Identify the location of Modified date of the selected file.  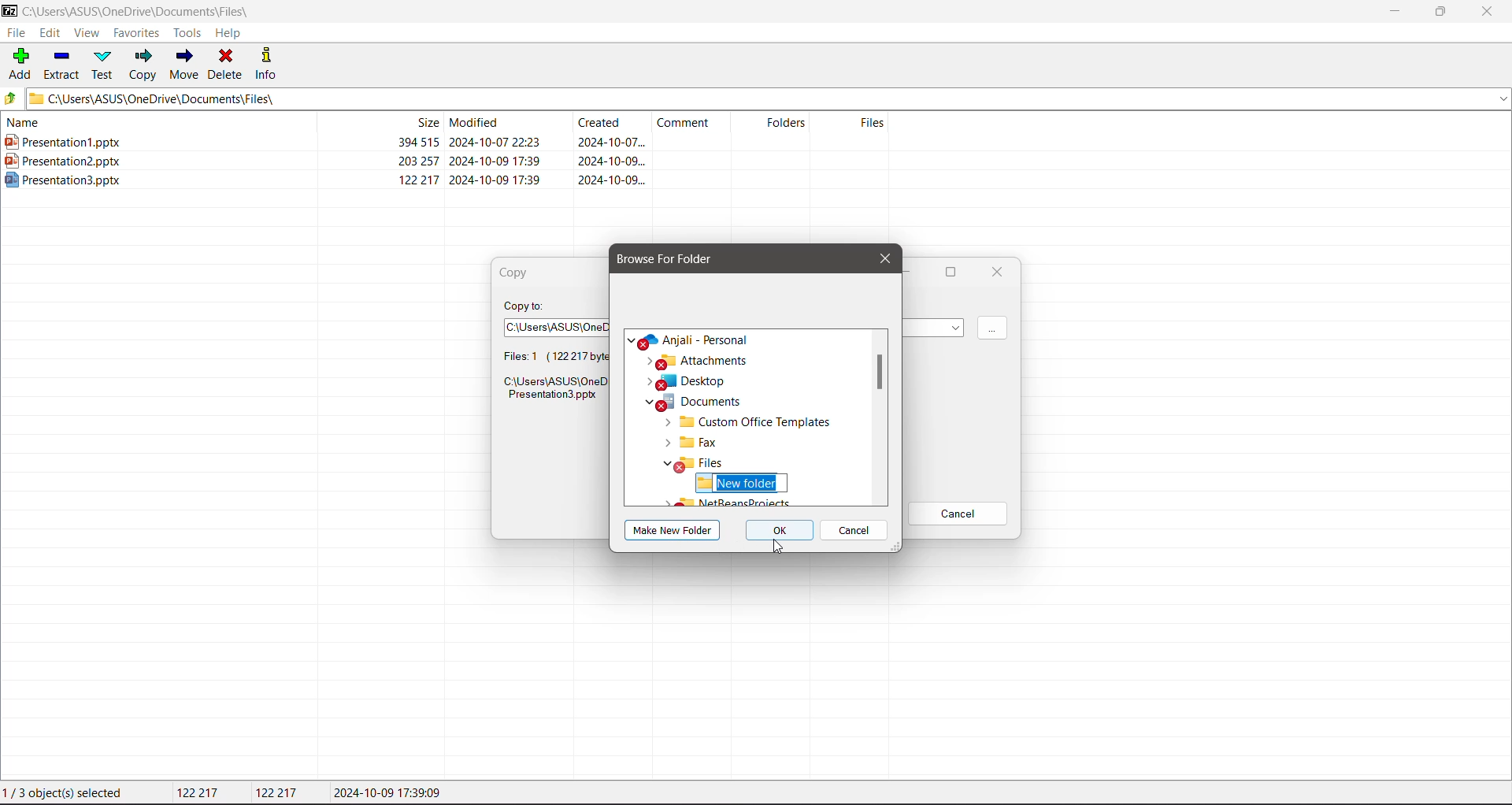
(392, 793).